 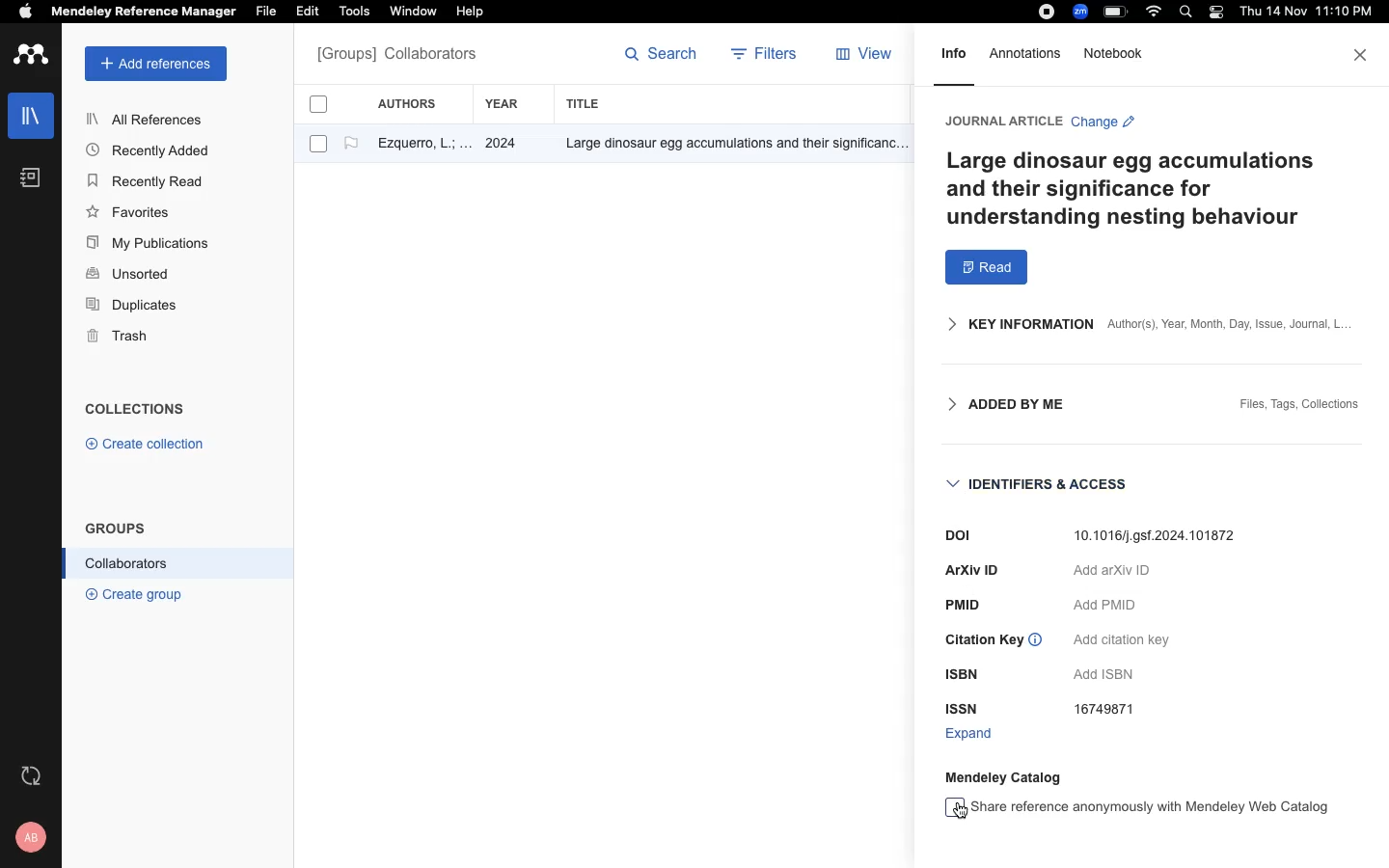 What do you see at coordinates (1157, 12) in the screenshot?
I see `wifi` at bounding box center [1157, 12].